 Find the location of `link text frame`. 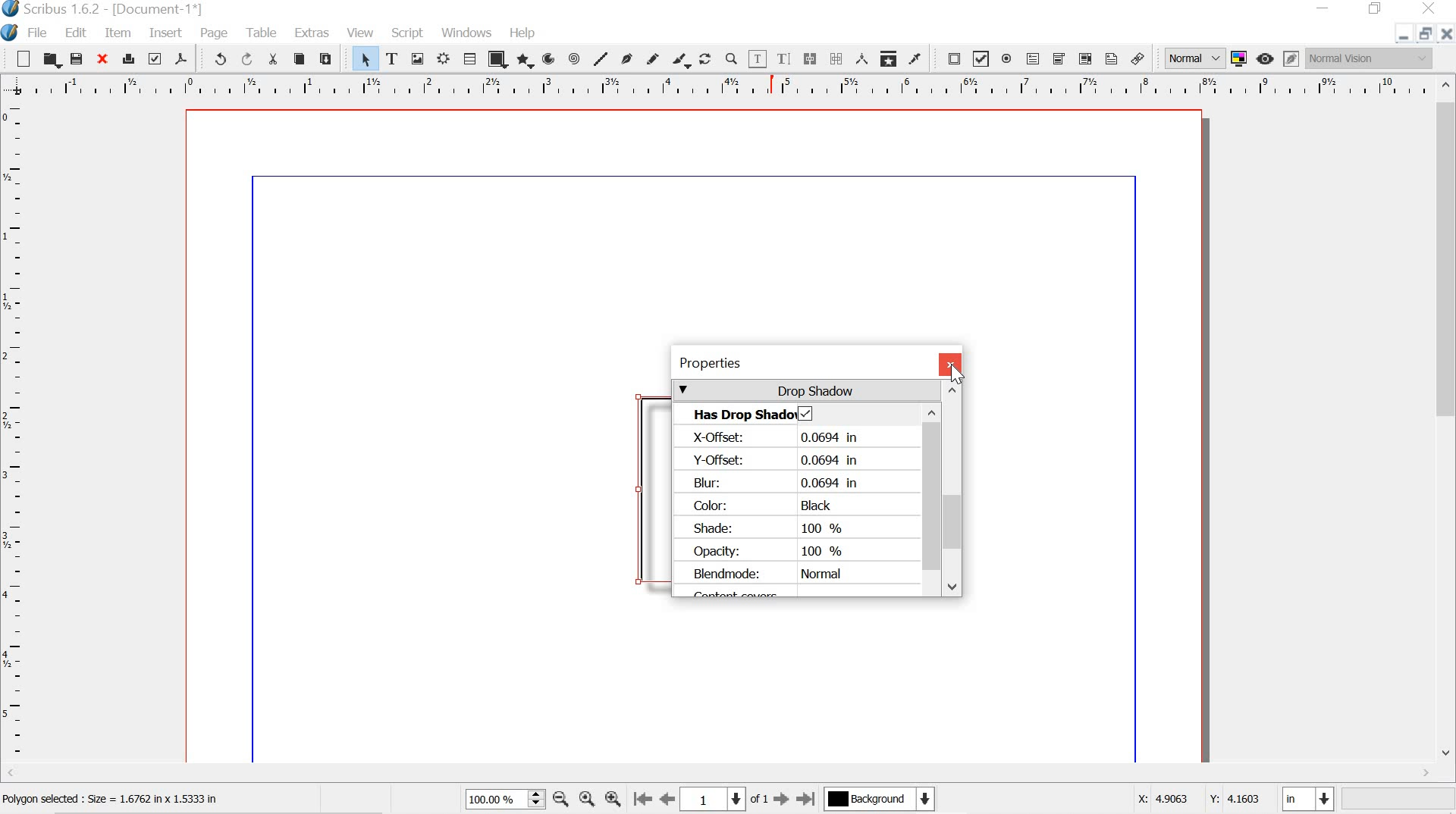

link text frame is located at coordinates (809, 58).